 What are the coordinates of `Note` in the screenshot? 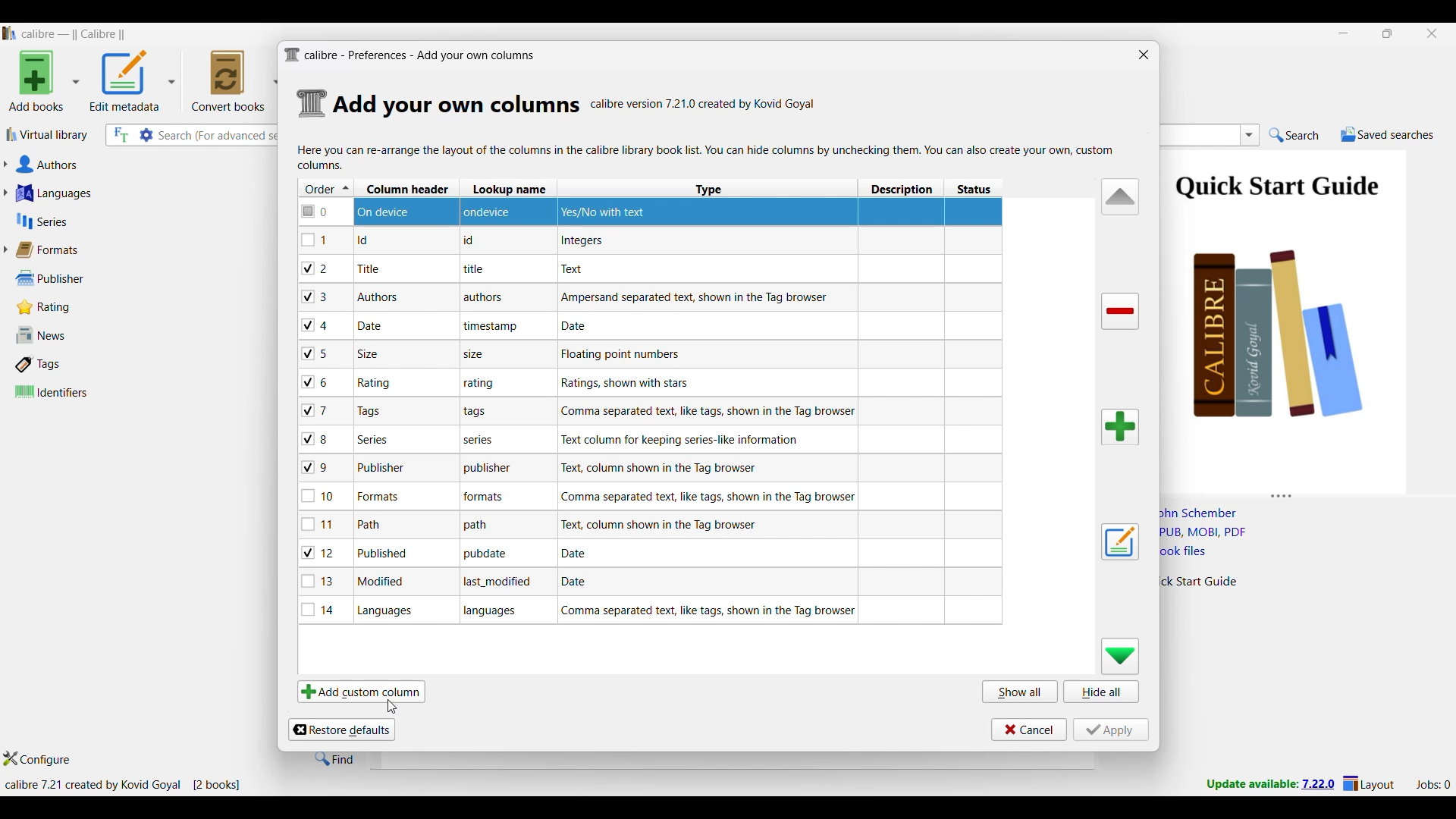 It's located at (368, 524).